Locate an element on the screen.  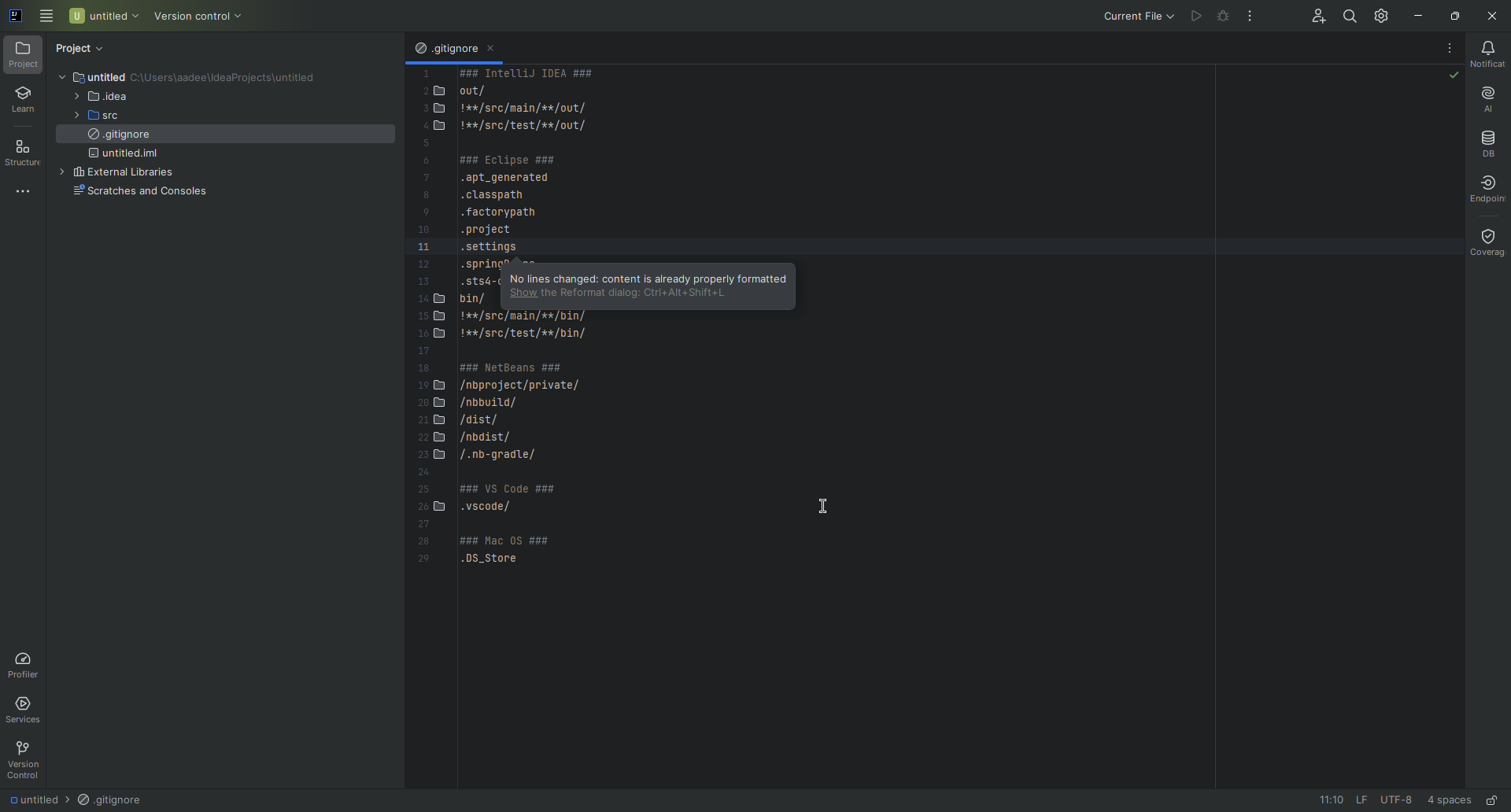
Project is located at coordinates (84, 46).